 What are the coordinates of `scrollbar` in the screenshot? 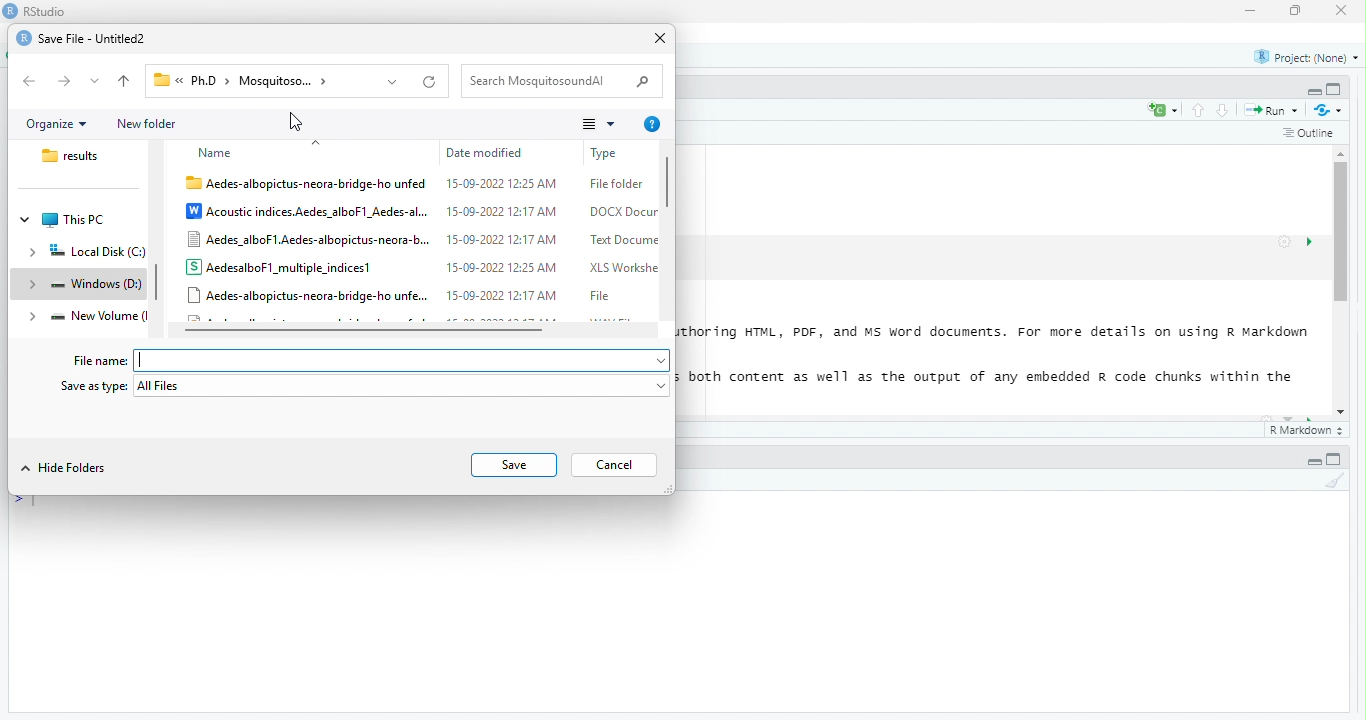 It's located at (158, 281).